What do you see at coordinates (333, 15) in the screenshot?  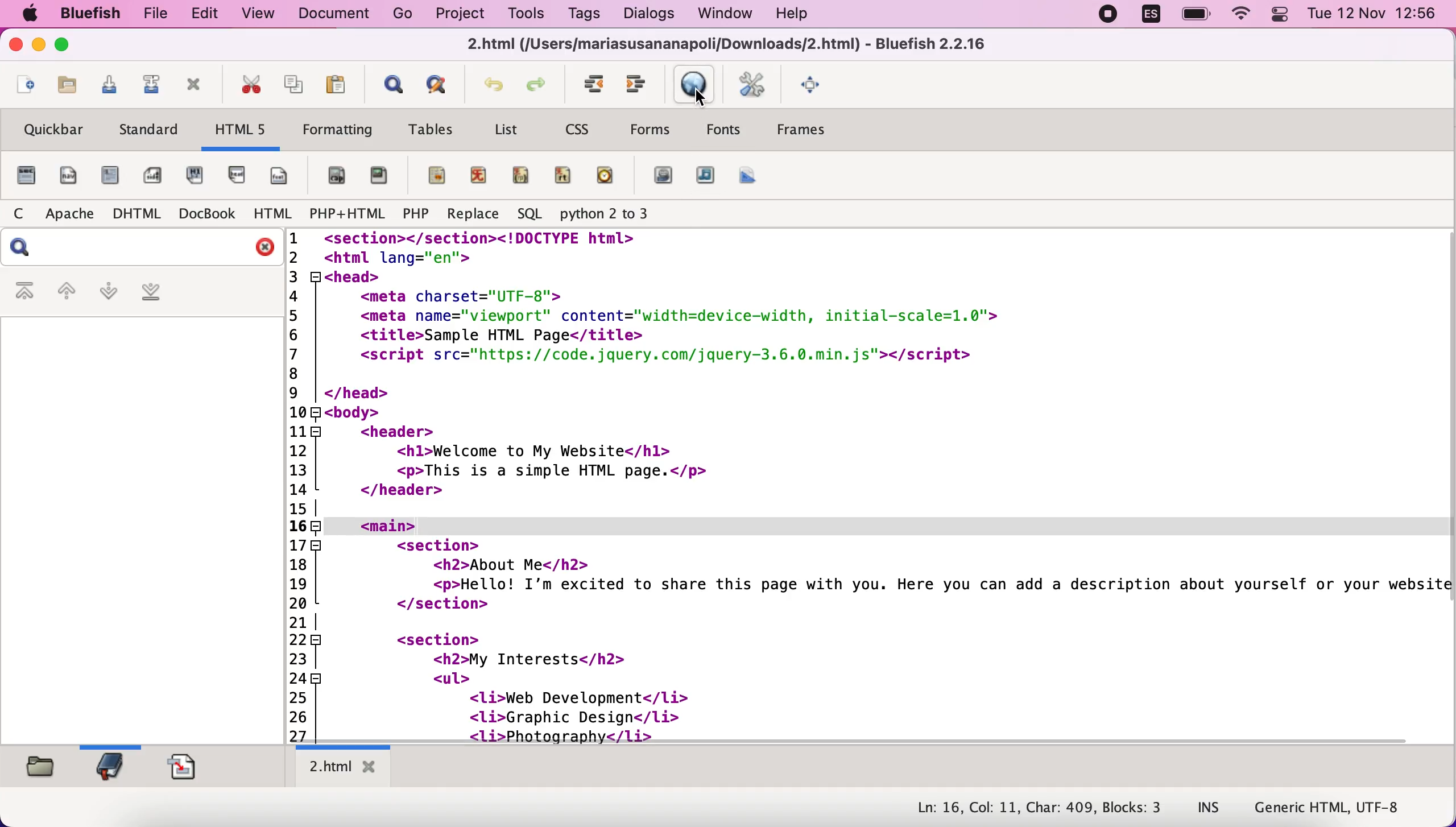 I see `document` at bounding box center [333, 15].